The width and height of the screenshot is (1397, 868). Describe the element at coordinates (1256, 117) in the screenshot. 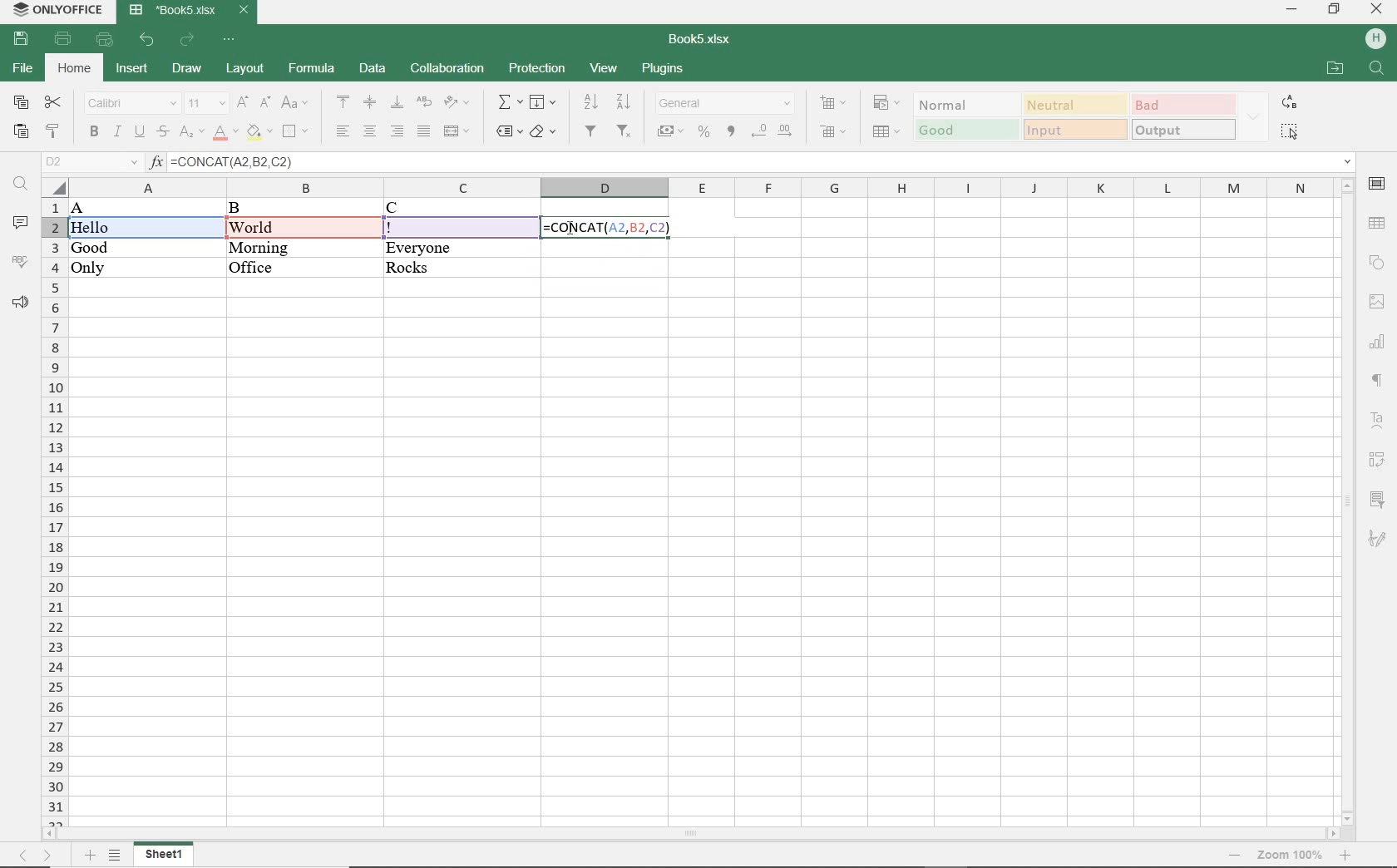

I see `EXPAND` at that location.